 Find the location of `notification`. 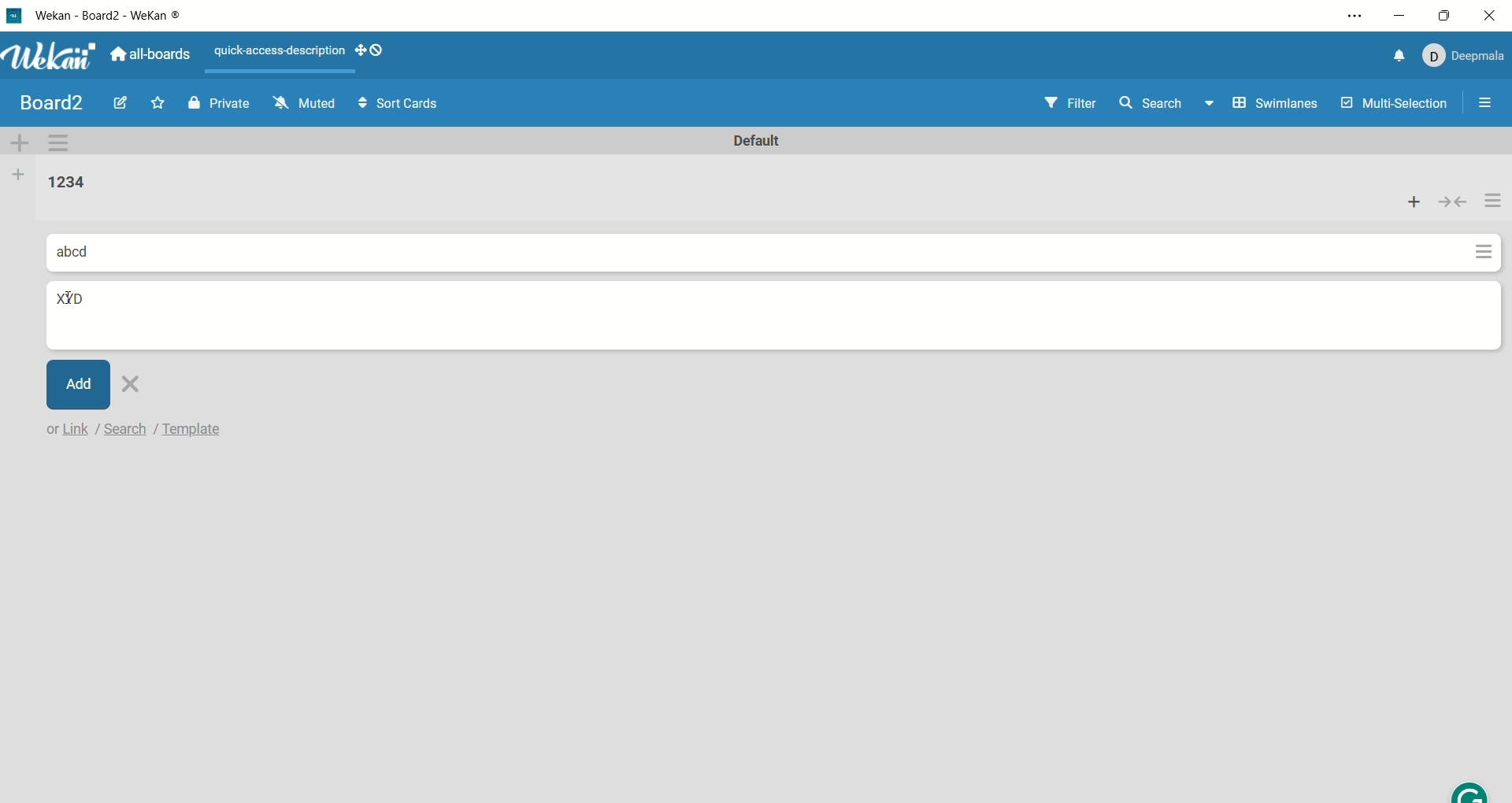

notification is located at coordinates (1393, 56).